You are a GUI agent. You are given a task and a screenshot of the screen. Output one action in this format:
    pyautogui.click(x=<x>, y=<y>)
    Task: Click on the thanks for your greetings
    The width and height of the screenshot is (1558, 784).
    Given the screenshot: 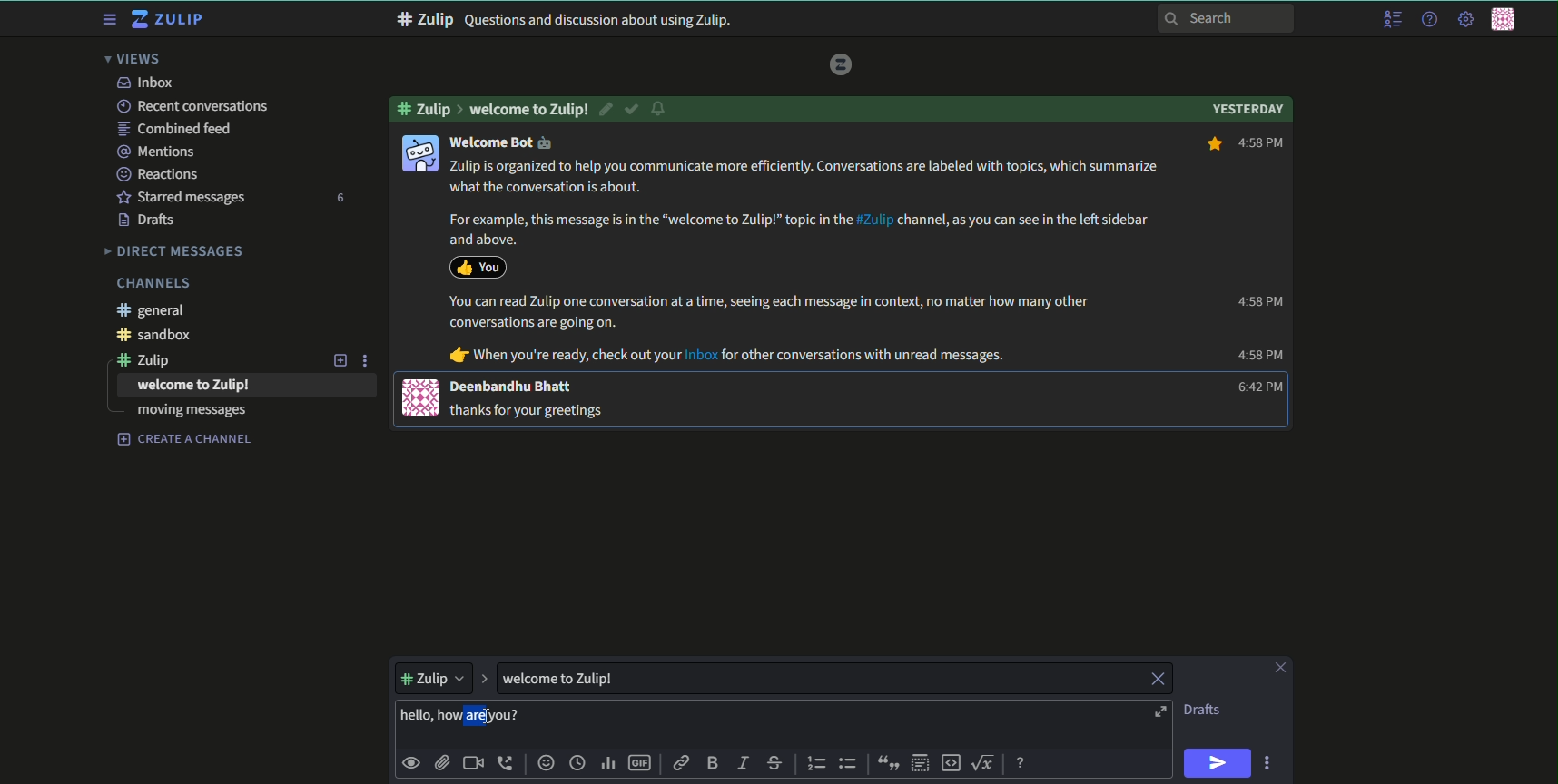 What is the action you would take?
    pyautogui.click(x=531, y=409)
    